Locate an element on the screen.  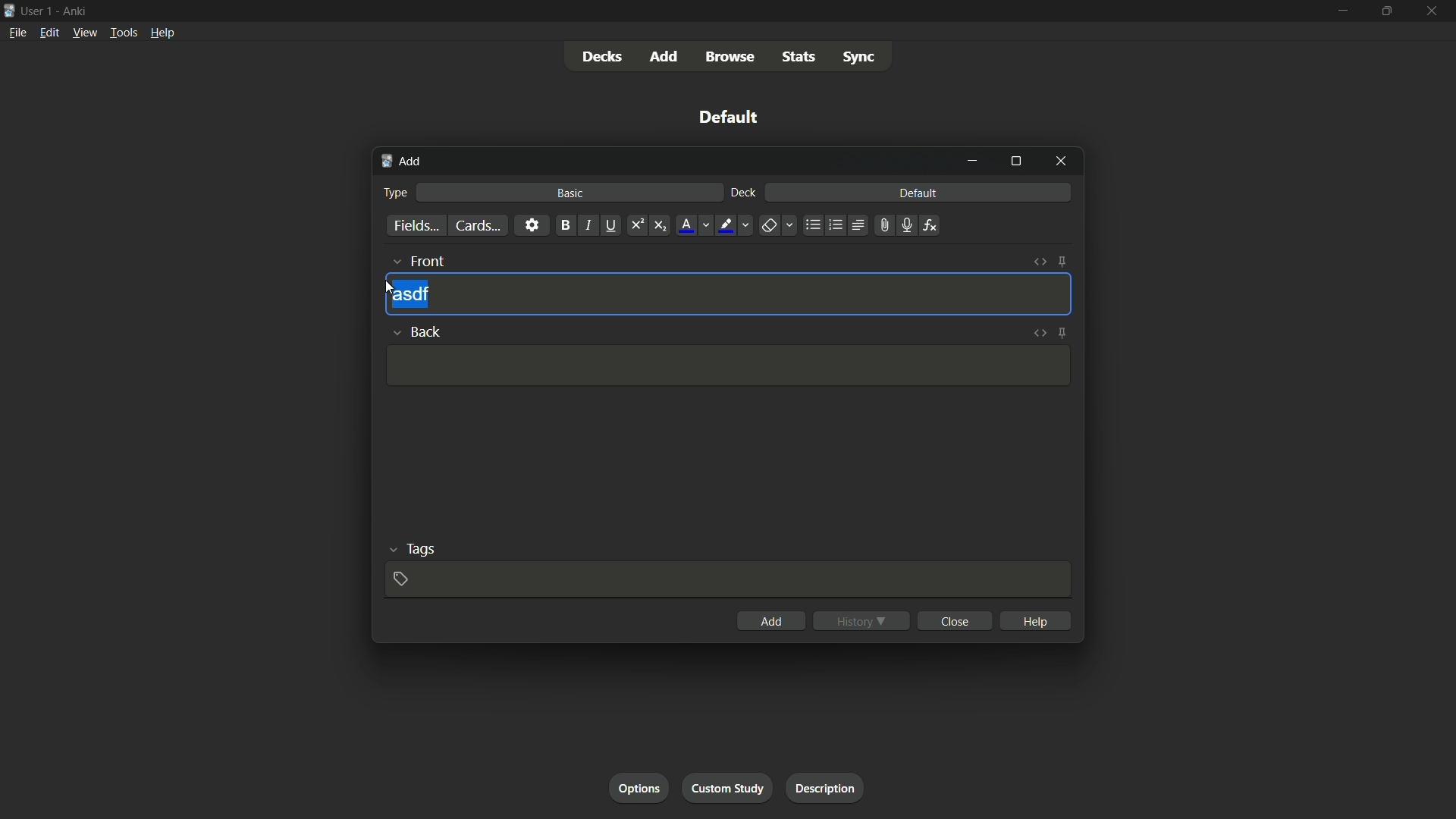
tools is located at coordinates (122, 34).